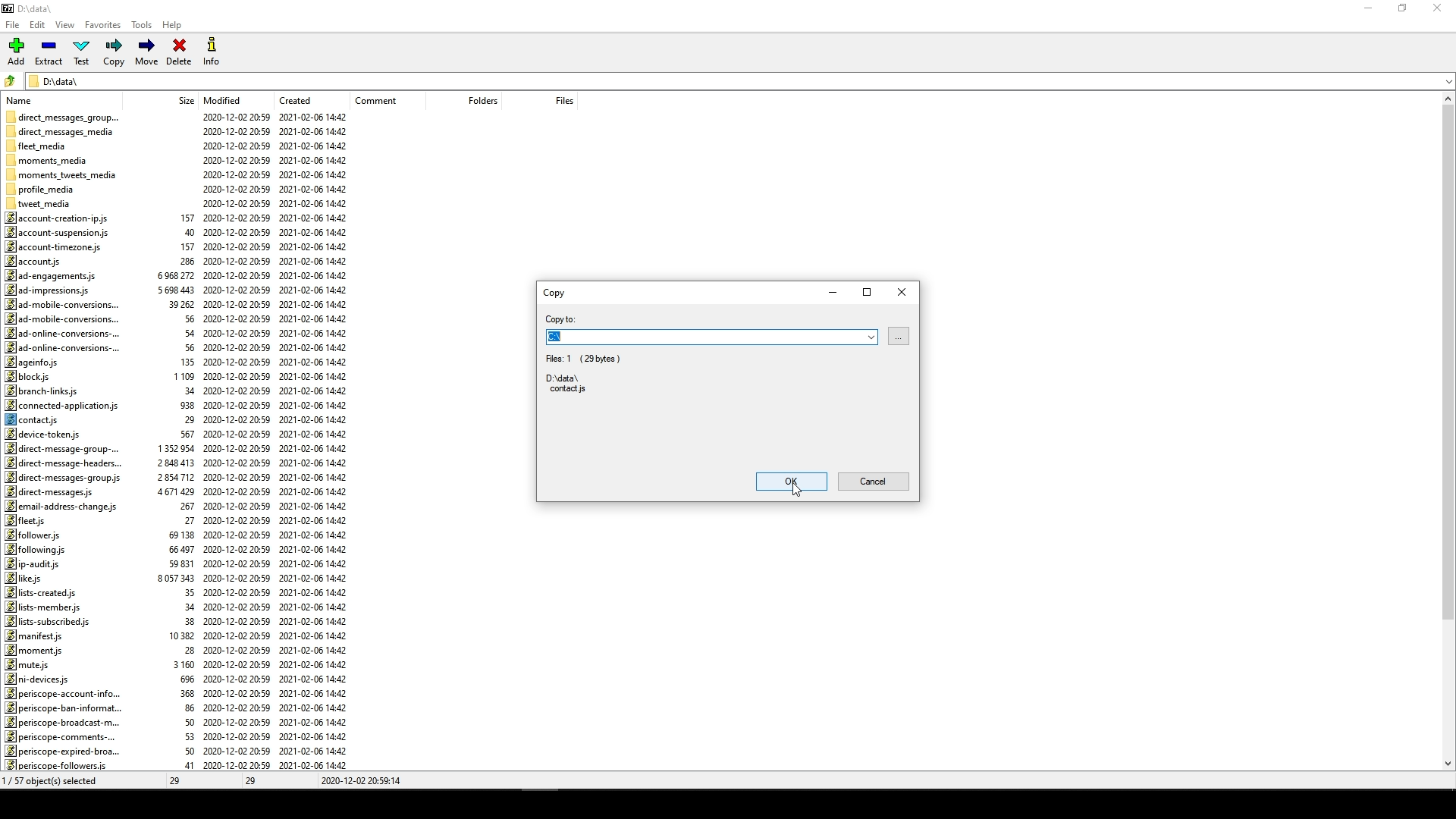 Image resolution: width=1456 pixels, height=819 pixels. Describe the element at coordinates (67, 692) in the screenshot. I see `periscope-account-info` at that location.